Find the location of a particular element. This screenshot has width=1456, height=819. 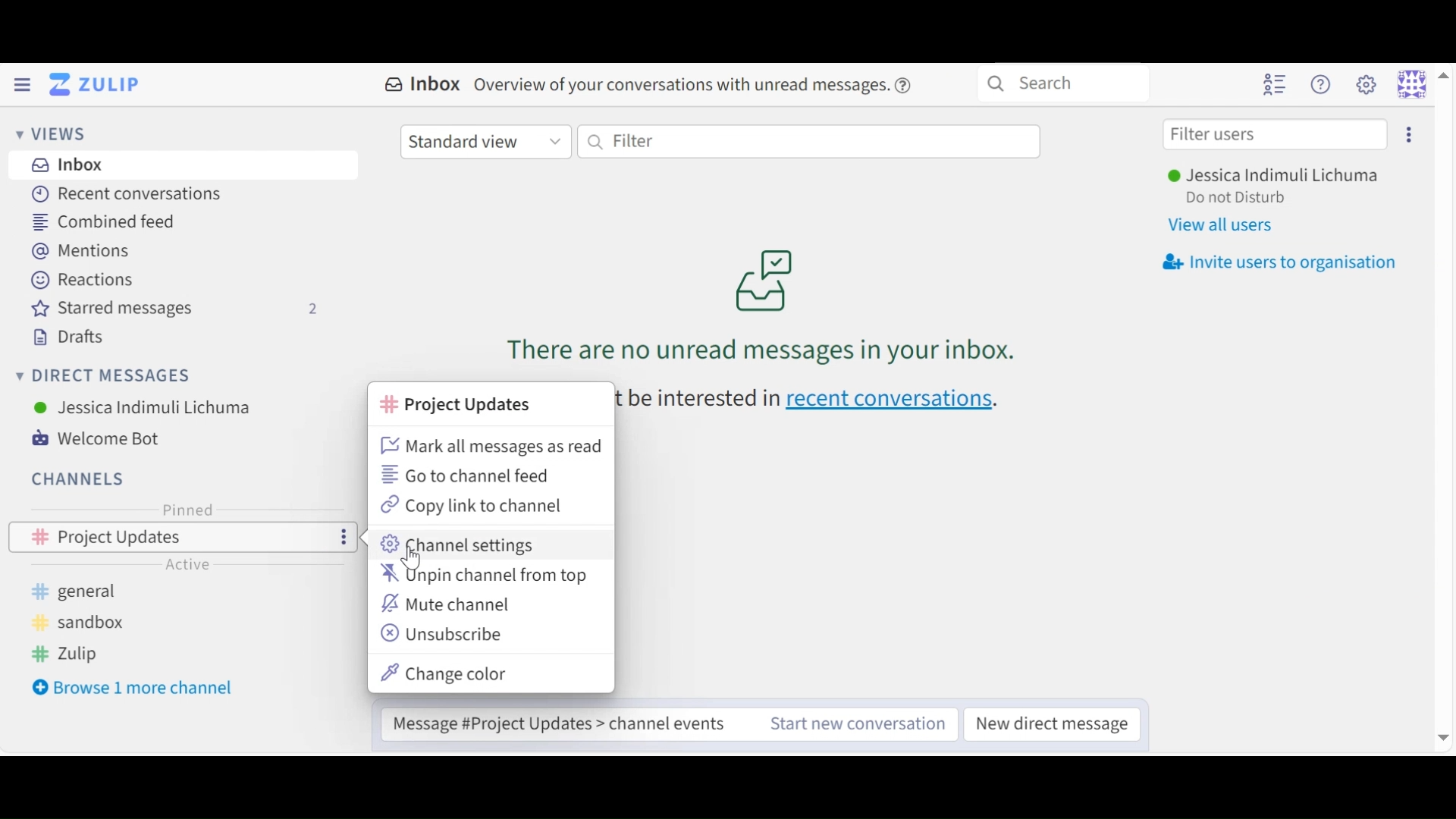

User is located at coordinates (1272, 176).